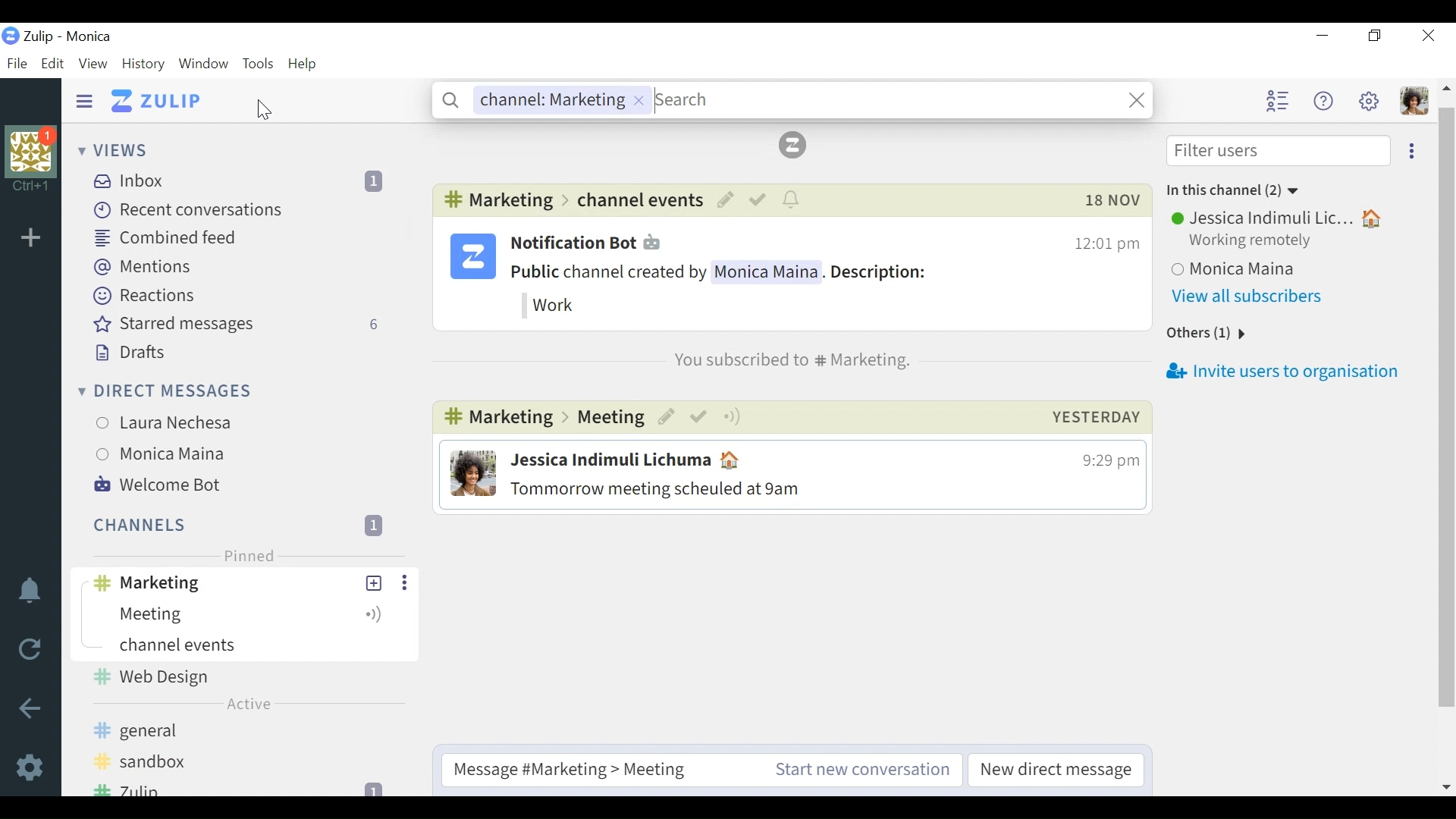 This screenshot has width=1456, height=819. Describe the element at coordinates (376, 582) in the screenshot. I see `New topic` at that location.